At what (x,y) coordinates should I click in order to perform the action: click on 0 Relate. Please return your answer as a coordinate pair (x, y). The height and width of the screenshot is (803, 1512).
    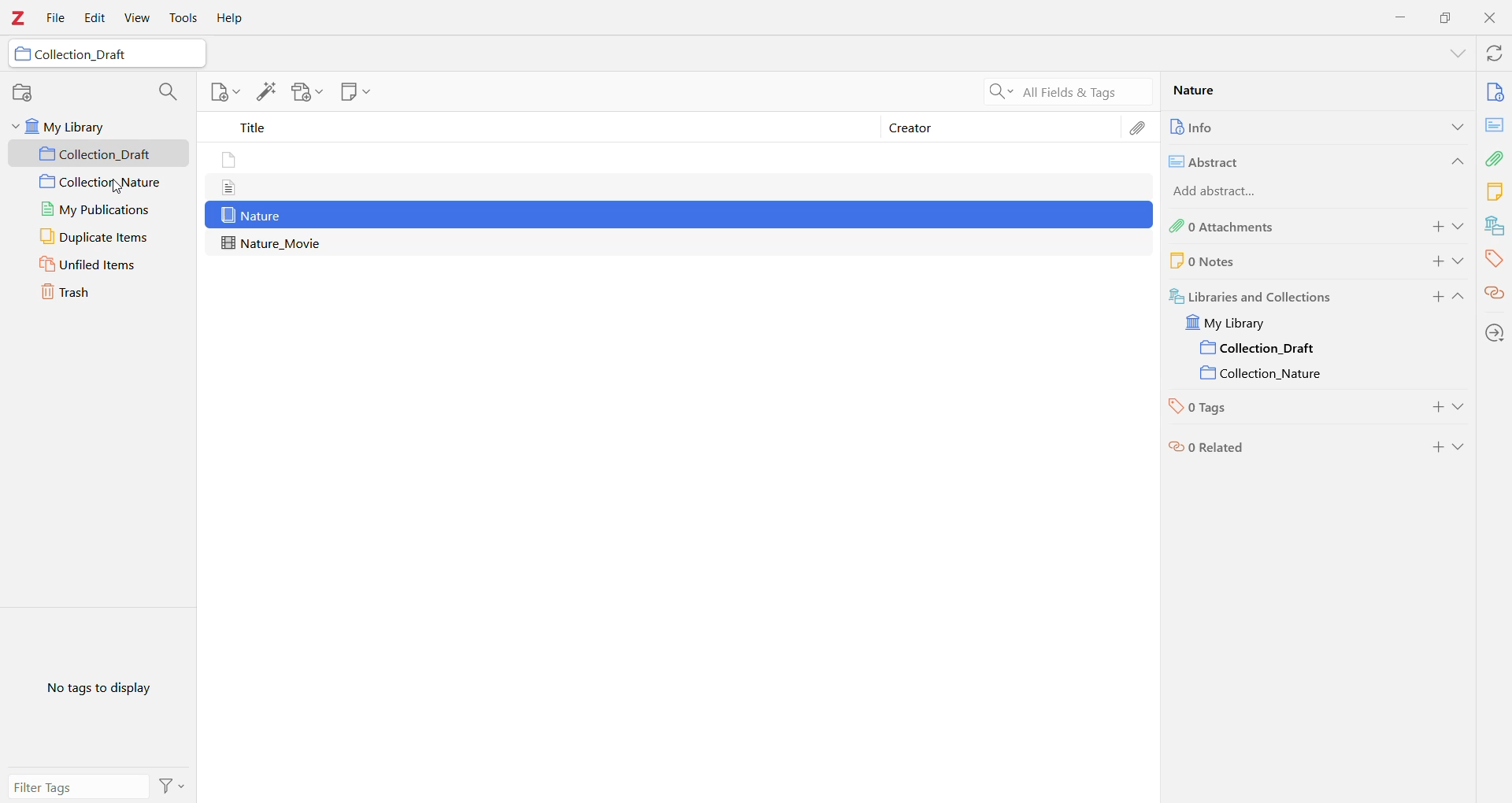
    Looking at the image, I should click on (1283, 446).